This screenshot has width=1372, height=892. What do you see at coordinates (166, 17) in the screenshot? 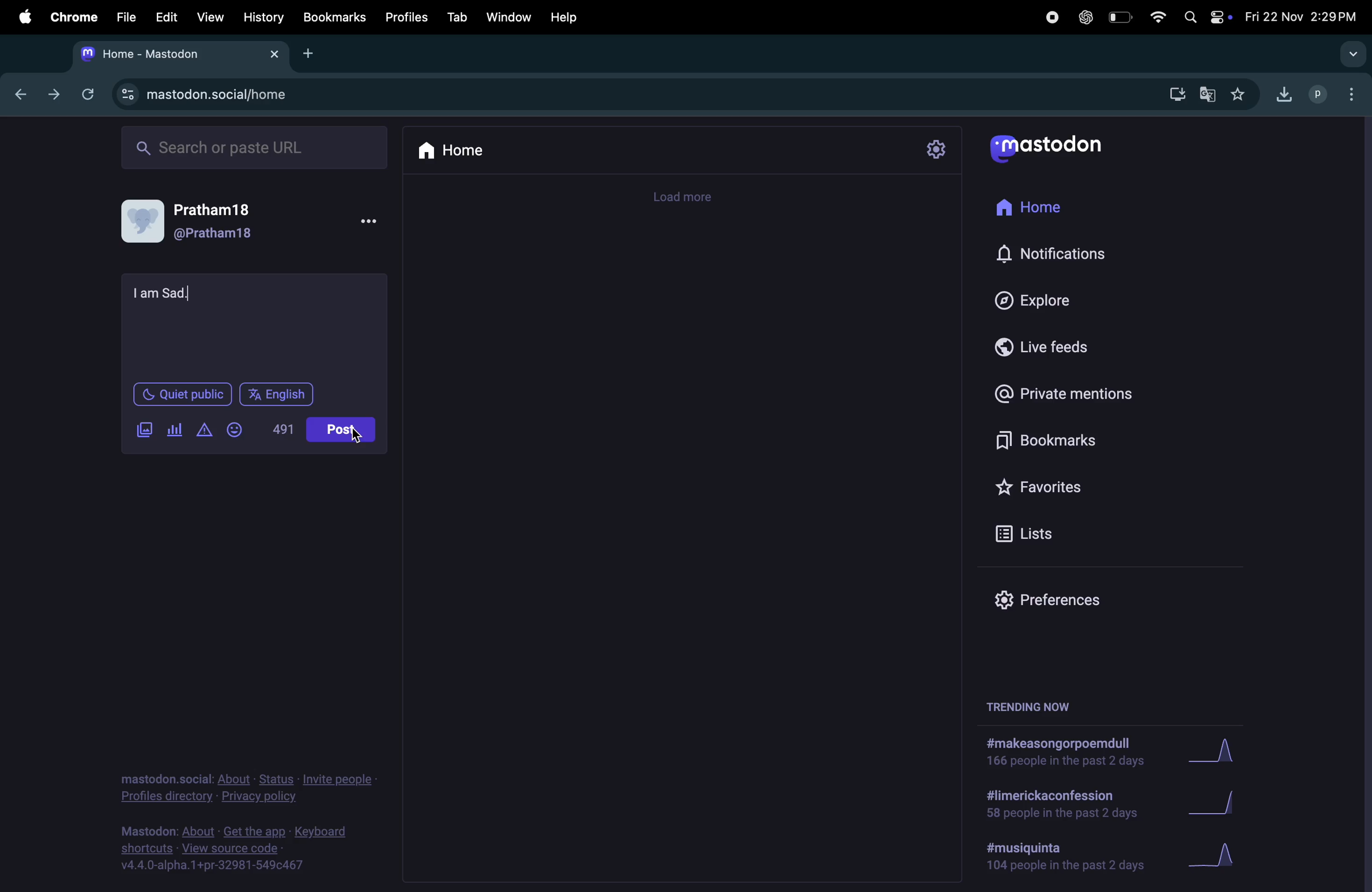
I see `edit` at bounding box center [166, 17].